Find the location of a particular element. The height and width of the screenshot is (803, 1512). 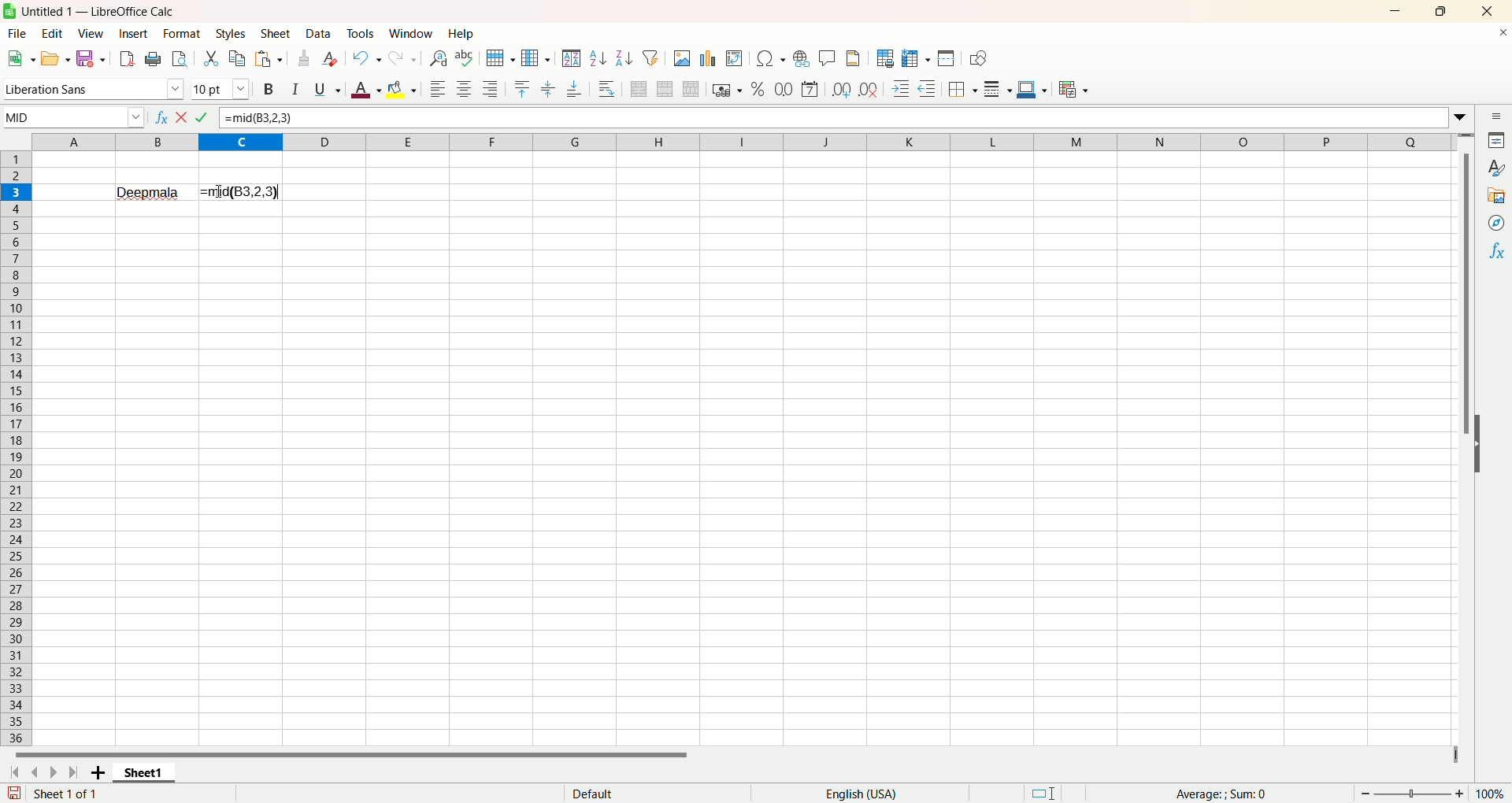

Conditional formatting is located at coordinates (1074, 90).